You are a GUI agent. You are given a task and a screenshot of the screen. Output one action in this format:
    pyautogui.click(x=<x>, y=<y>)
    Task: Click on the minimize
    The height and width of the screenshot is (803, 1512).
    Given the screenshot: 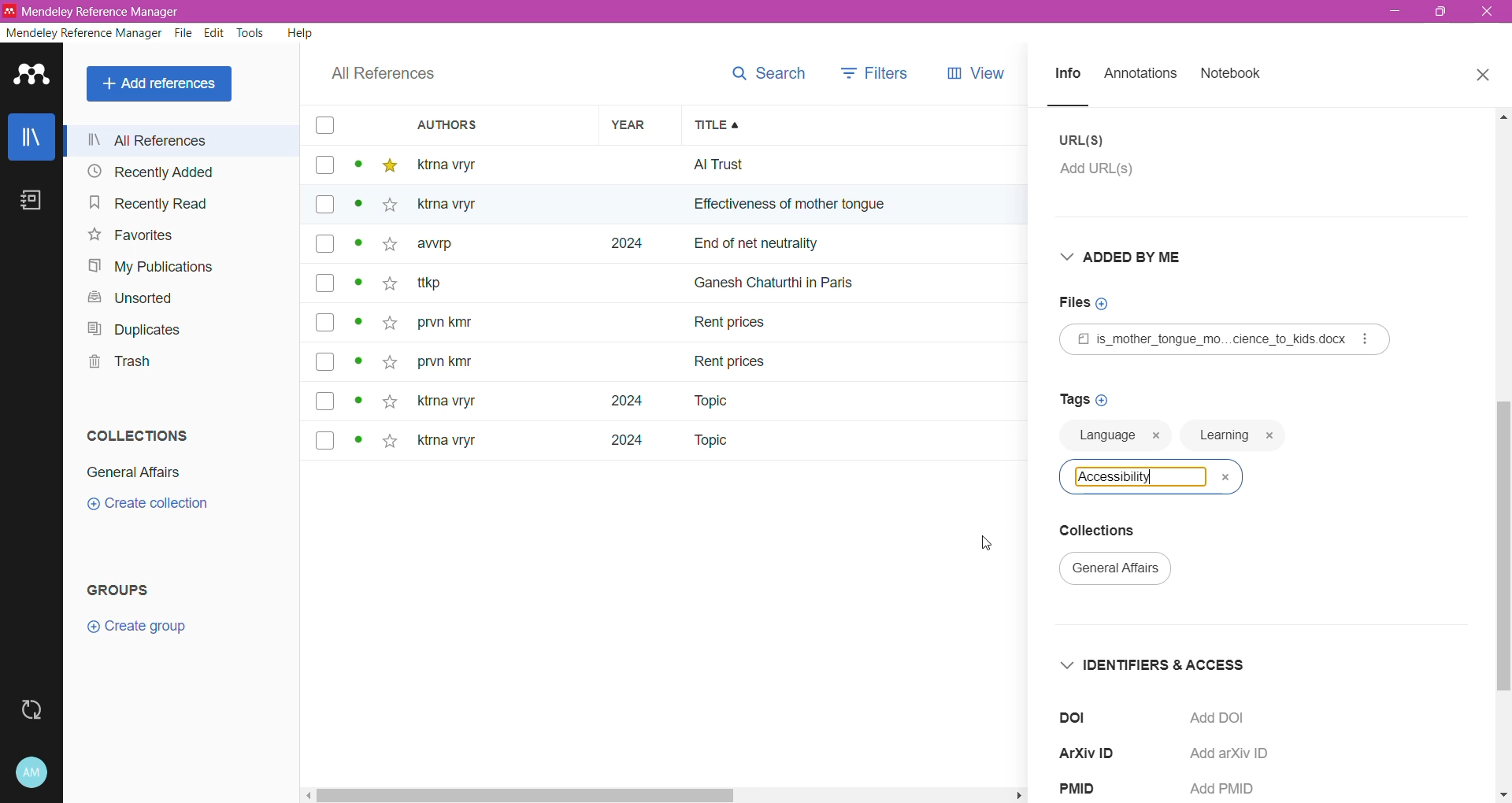 What is the action you would take?
    pyautogui.click(x=1397, y=13)
    